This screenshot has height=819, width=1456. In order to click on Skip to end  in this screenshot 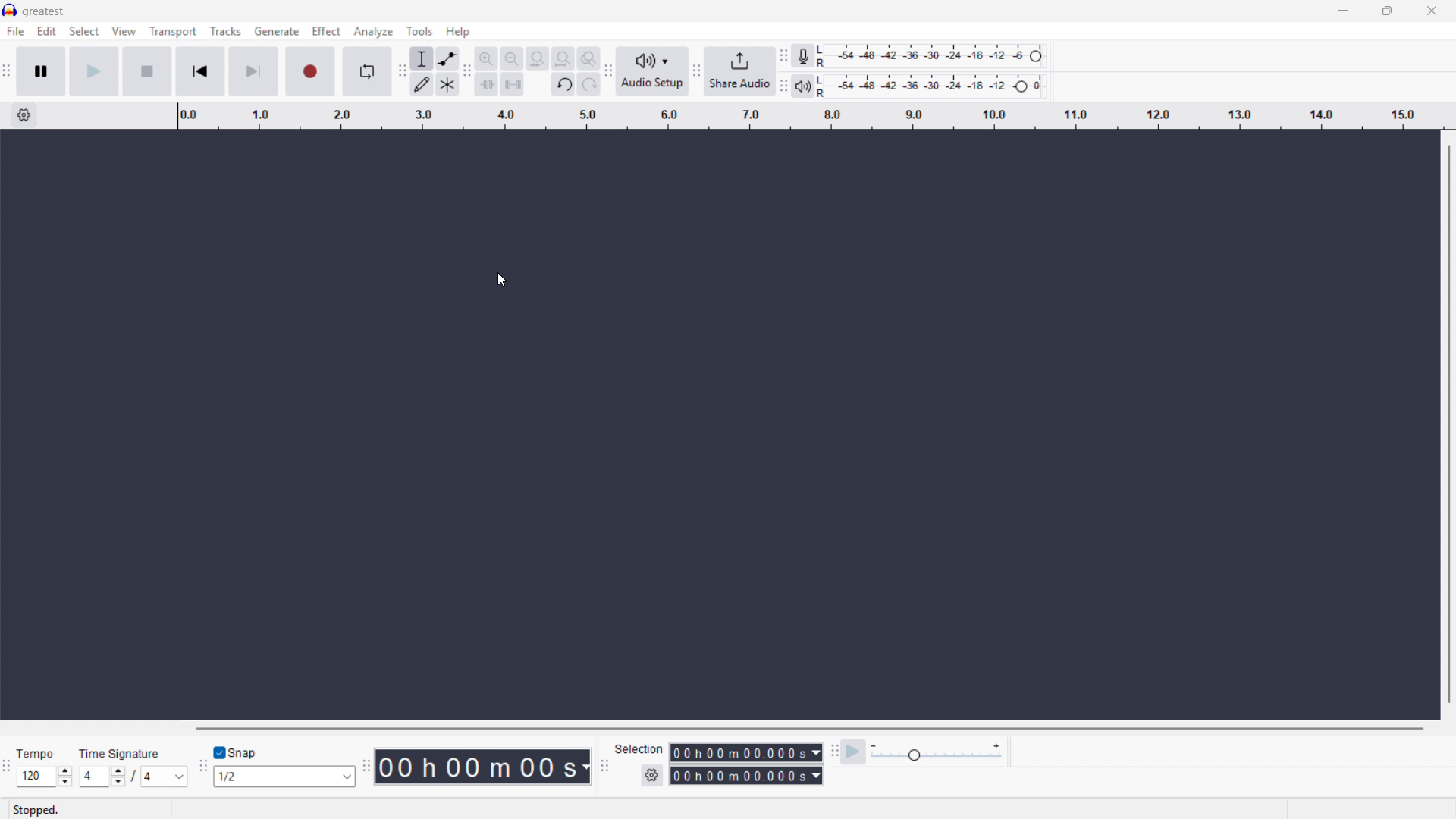, I will do `click(253, 72)`.